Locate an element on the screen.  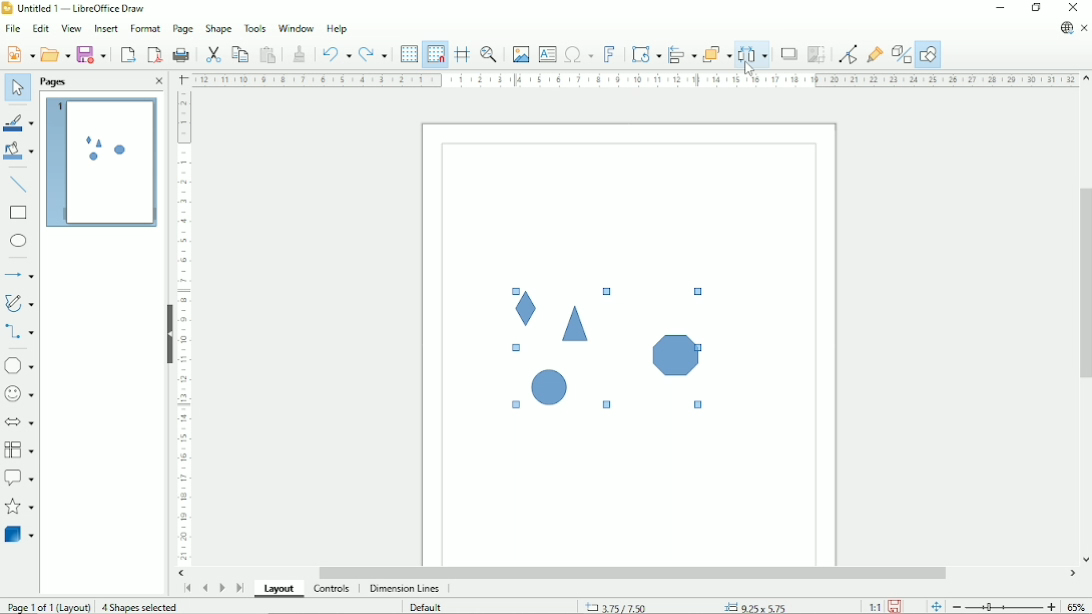
Horizontal scroll button is located at coordinates (182, 572).